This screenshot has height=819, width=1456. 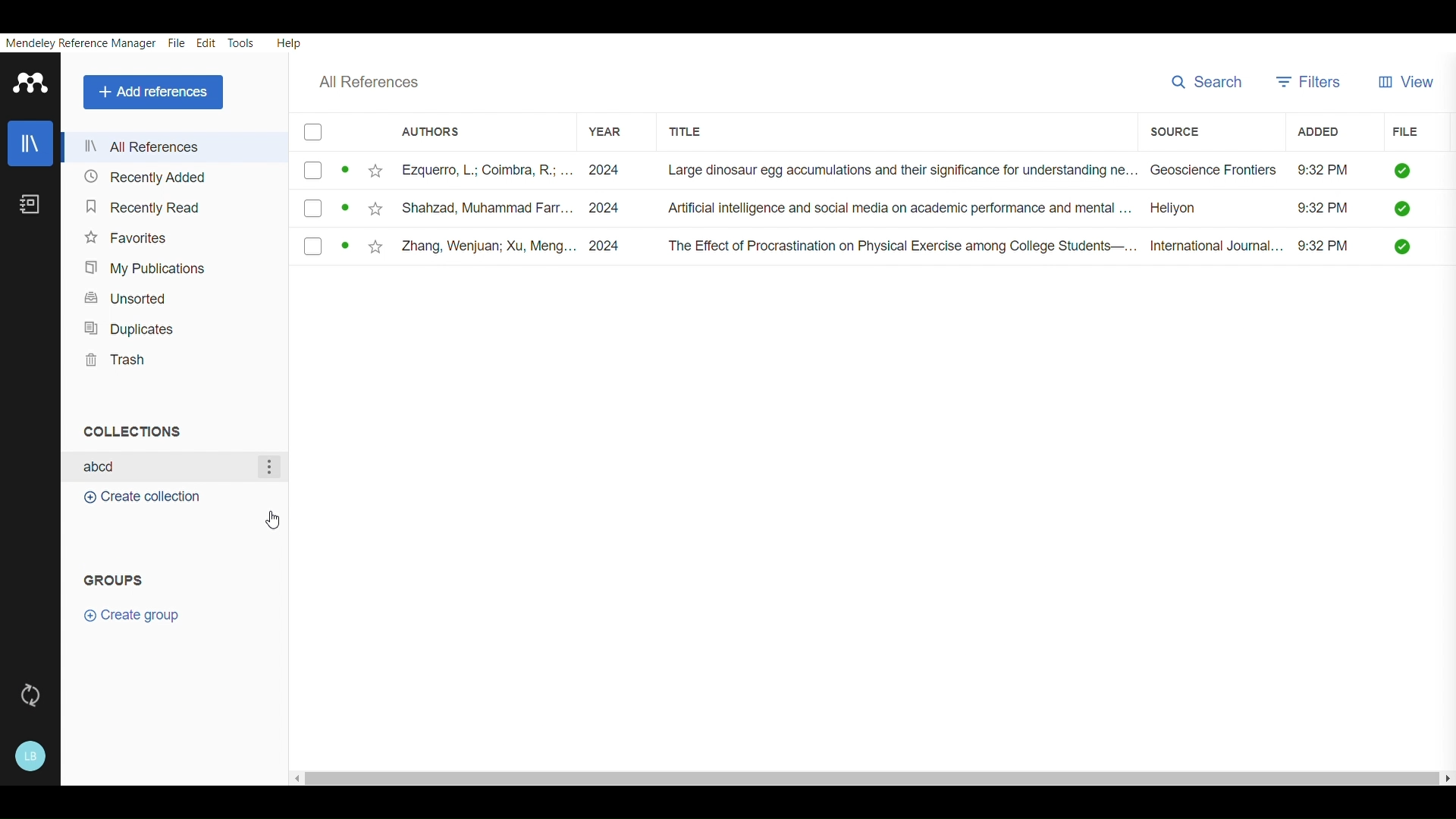 I want to click on 2024, so click(x=607, y=207).